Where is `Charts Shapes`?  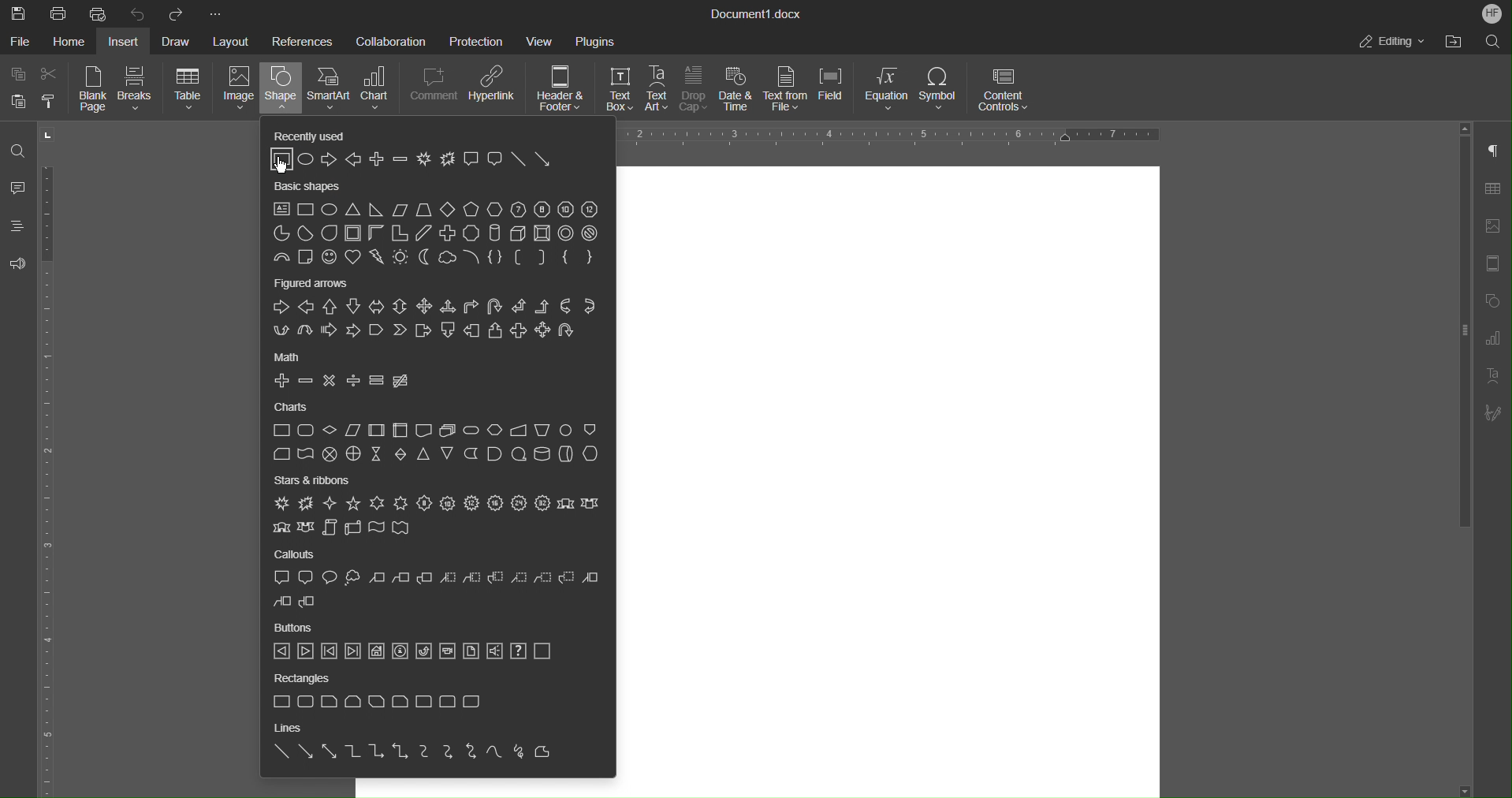 Charts Shapes is located at coordinates (439, 444).